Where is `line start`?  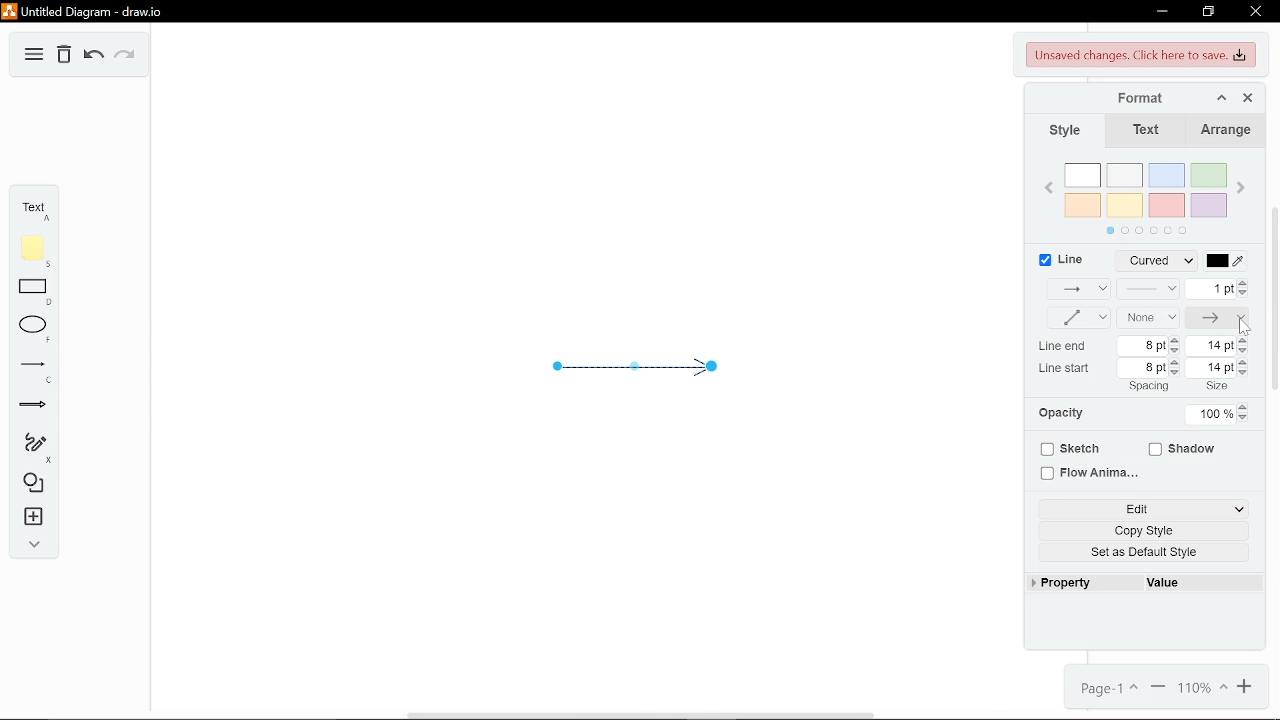 line start is located at coordinates (1067, 367).